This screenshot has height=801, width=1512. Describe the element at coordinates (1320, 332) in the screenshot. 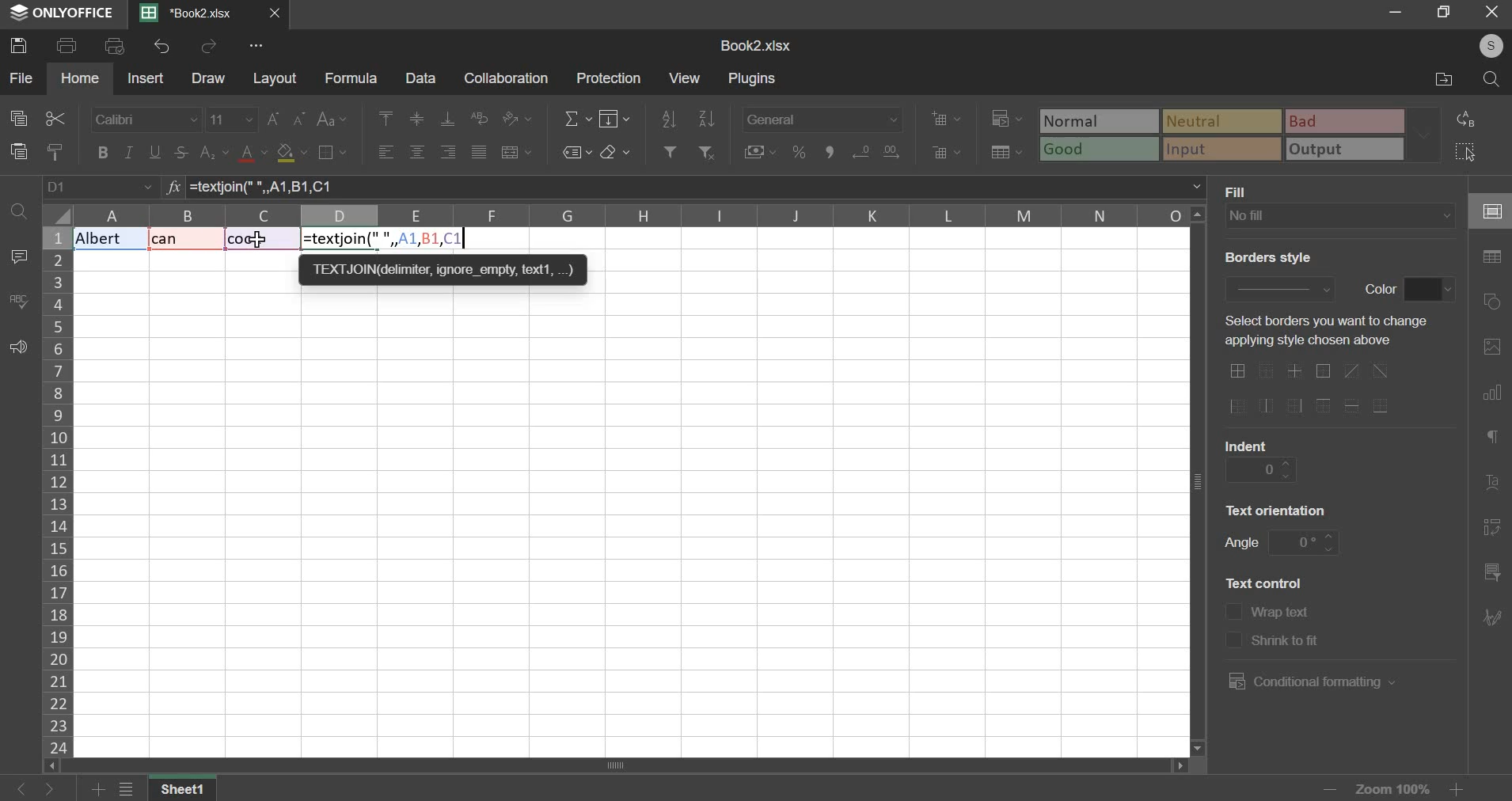

I see `text` at that location.